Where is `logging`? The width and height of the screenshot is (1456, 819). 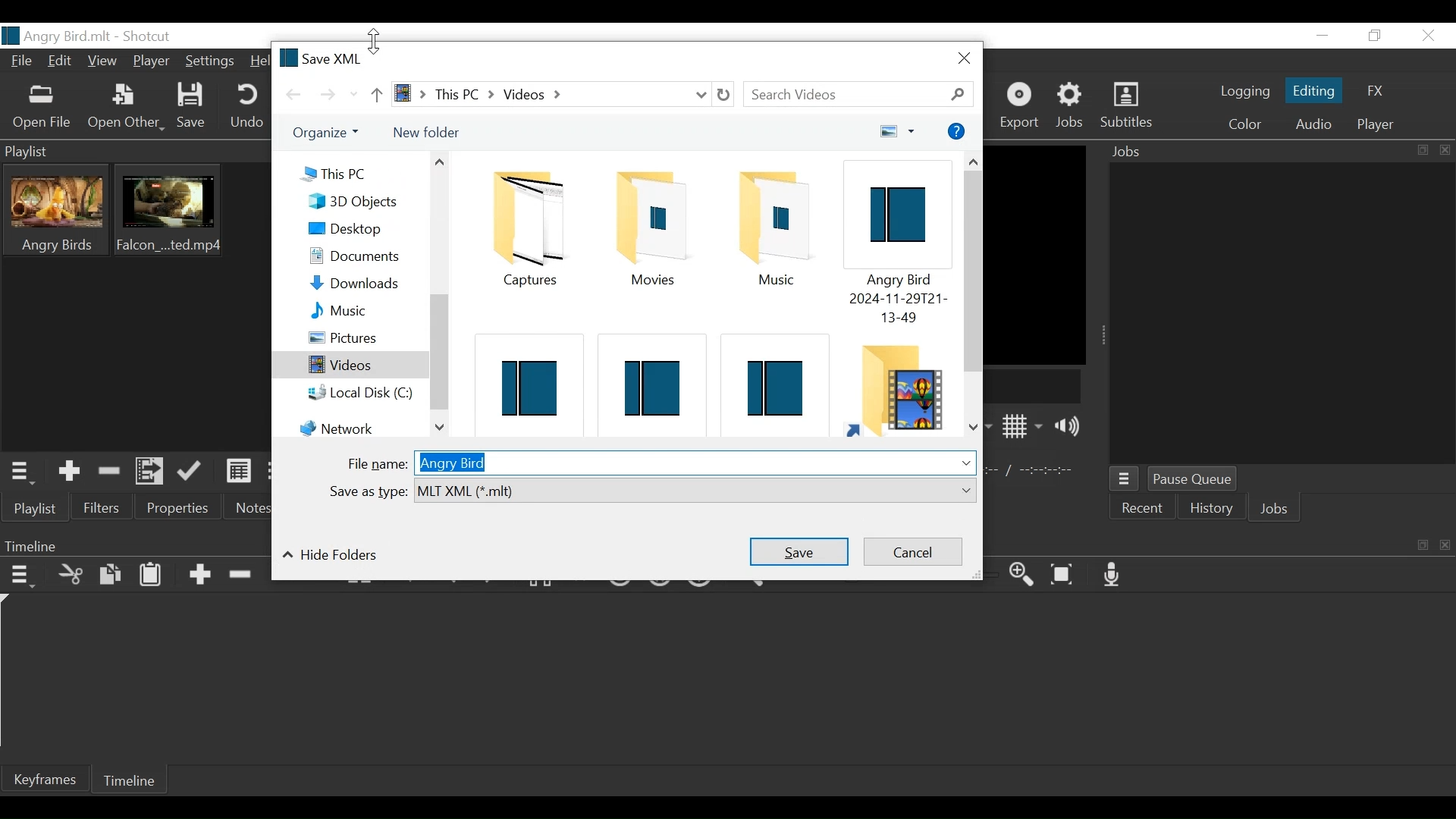
logging is located at coordinates (1241, 93).